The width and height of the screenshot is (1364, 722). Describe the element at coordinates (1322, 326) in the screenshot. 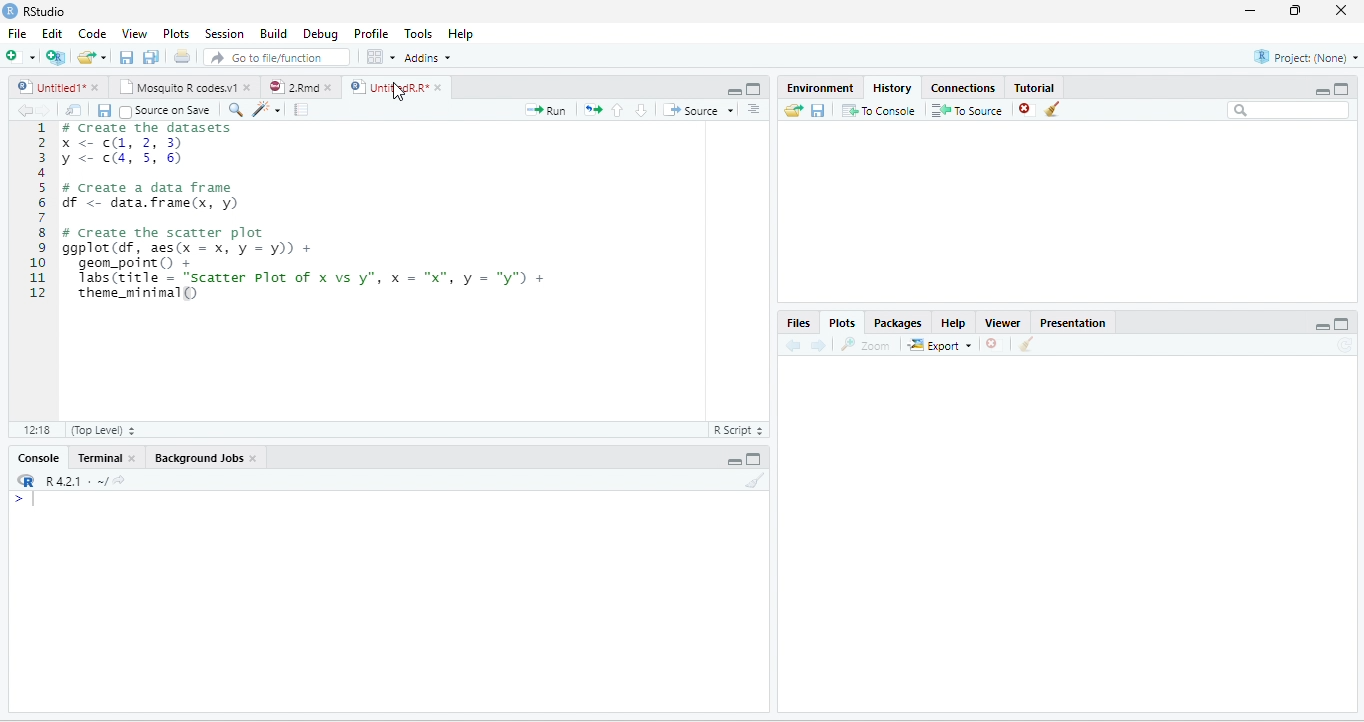

I see `Minimize` at that location.